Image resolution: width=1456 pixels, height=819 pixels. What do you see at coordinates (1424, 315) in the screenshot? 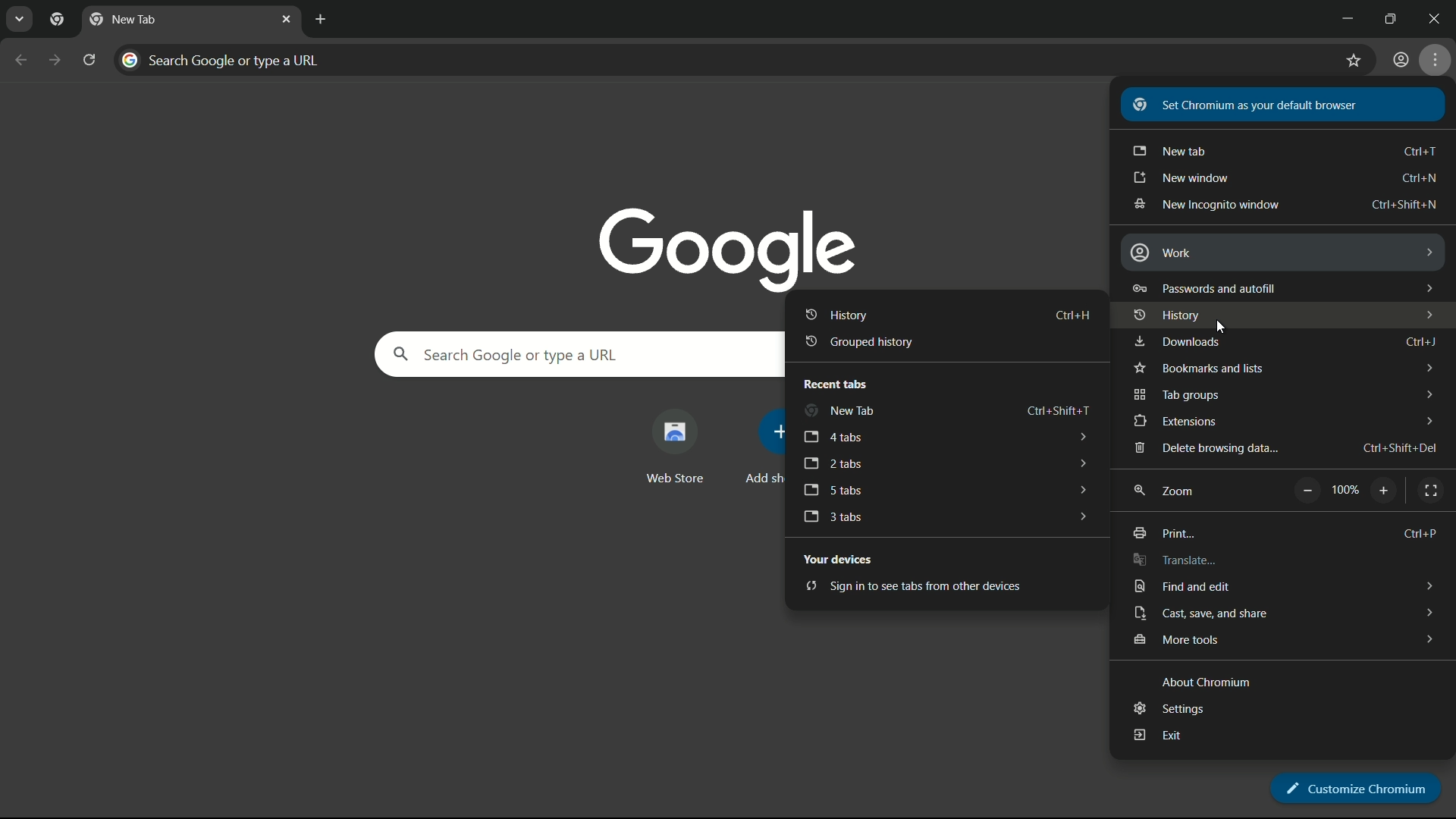
I see `dropdown arrows` at bounding box center [1424, 315].